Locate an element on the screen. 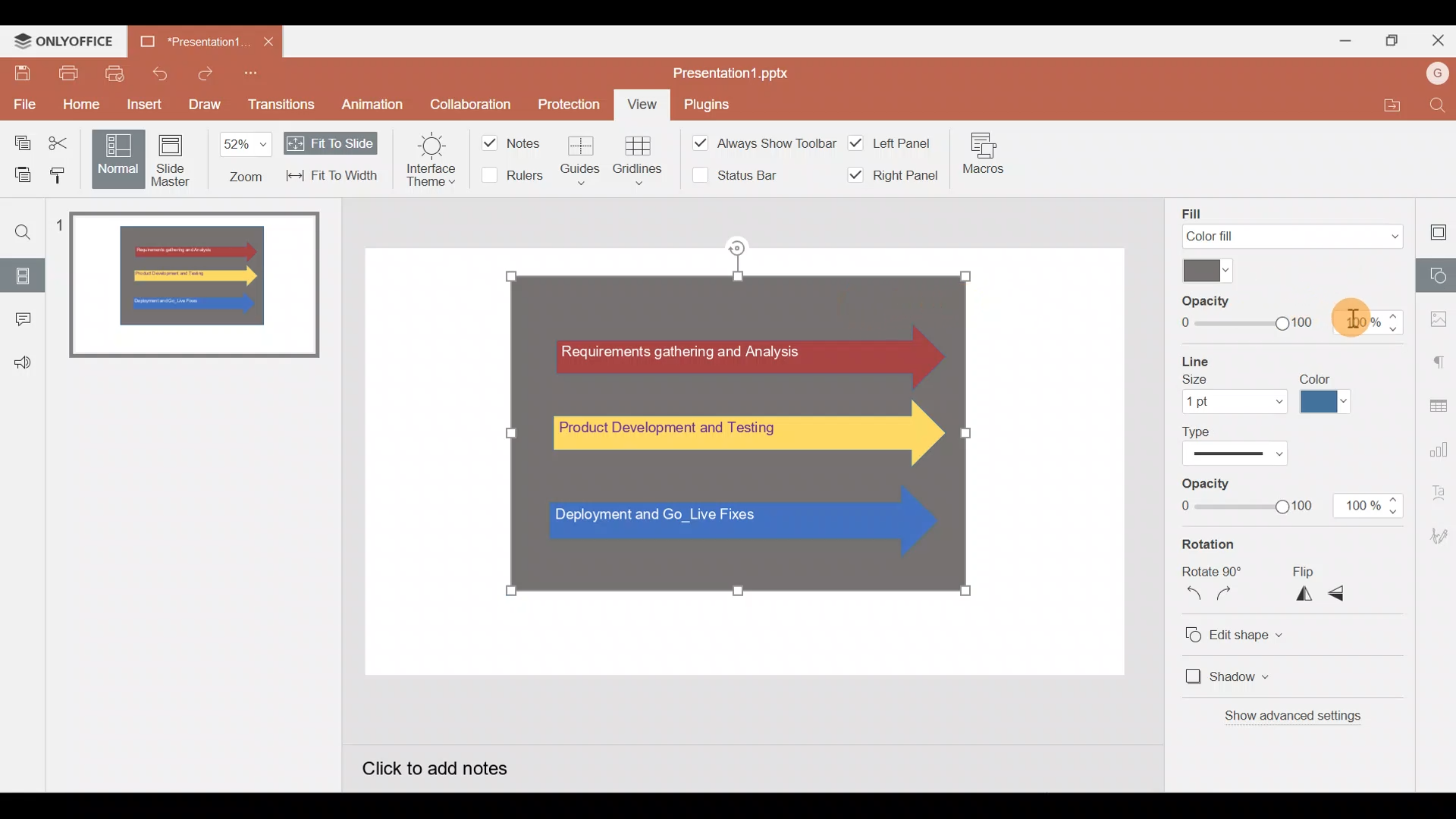 Image resolution: width=1456 pixels, height=819 pixels. Presentation1. is located at coordinates (191, 42).